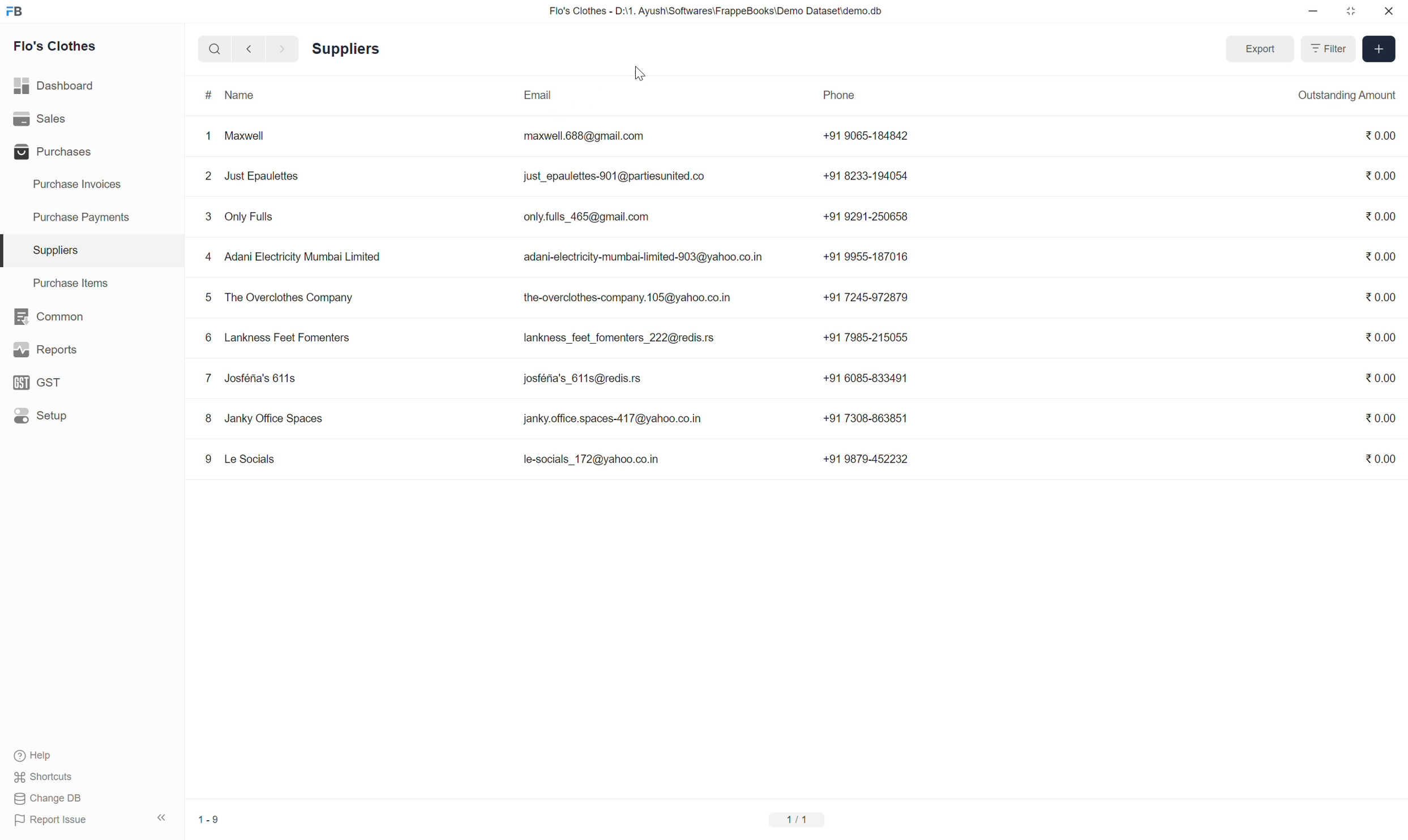 This screenshot has width=1408, height=840. I want to click on Purchases, so click(54, 151).